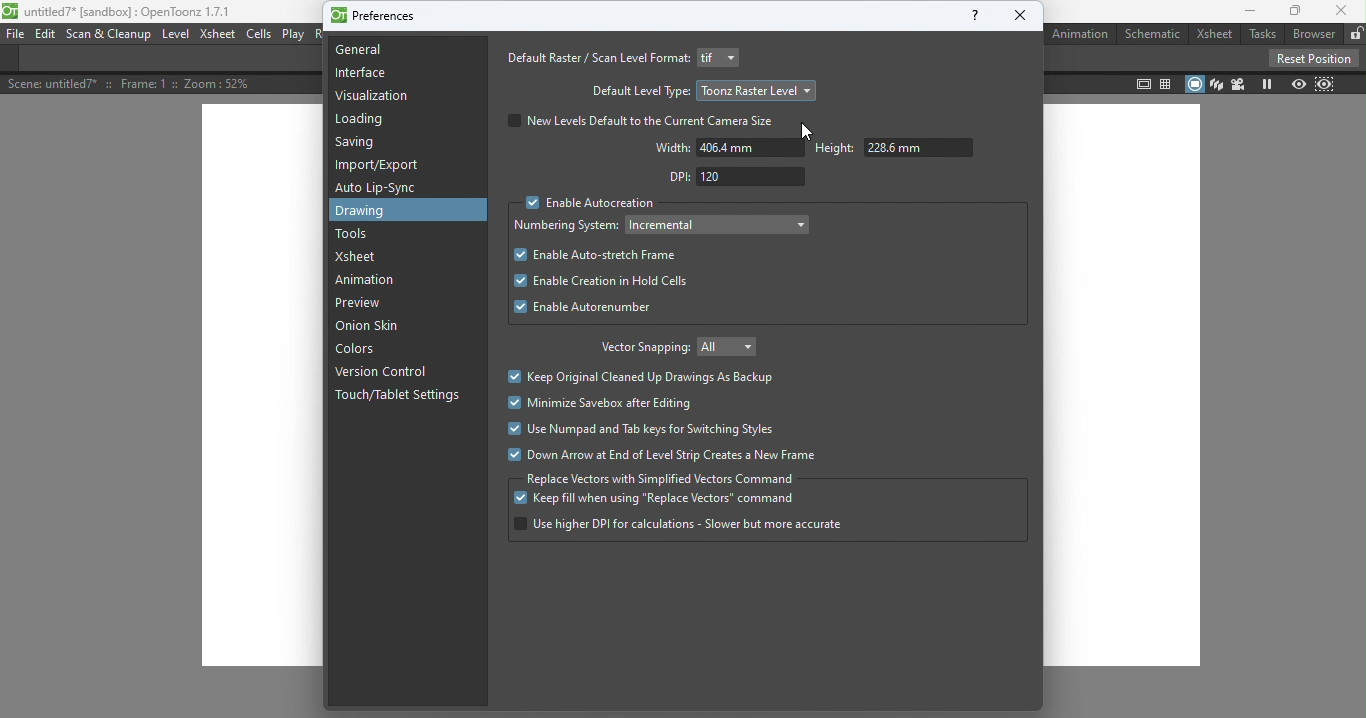 The height and width of the screenshot is (718, 1366). Describe the element at coordinates (295, 34) in the screenshot. I see `Play` at that location.